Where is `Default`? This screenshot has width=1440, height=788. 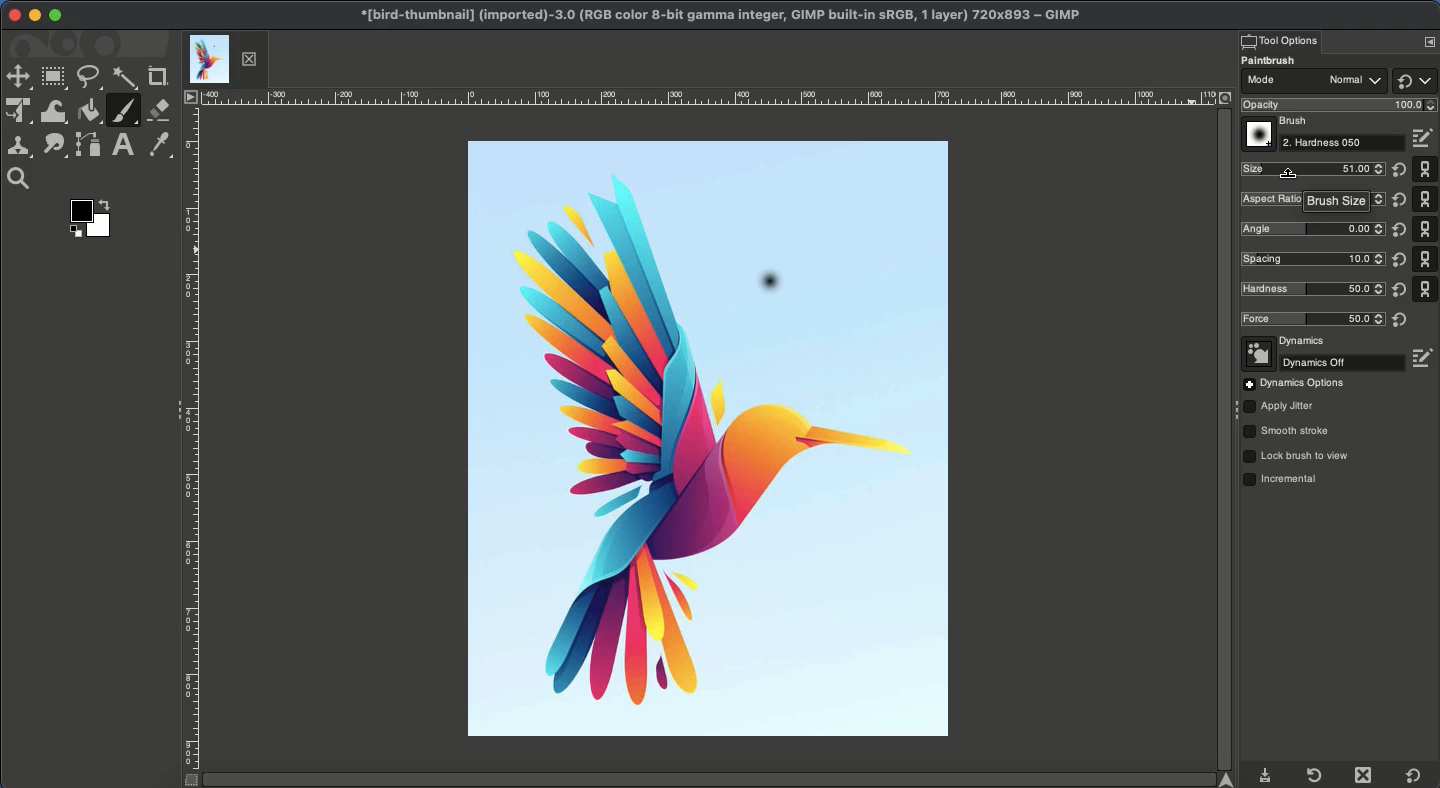 Default is located at coordinates (1414, 776).